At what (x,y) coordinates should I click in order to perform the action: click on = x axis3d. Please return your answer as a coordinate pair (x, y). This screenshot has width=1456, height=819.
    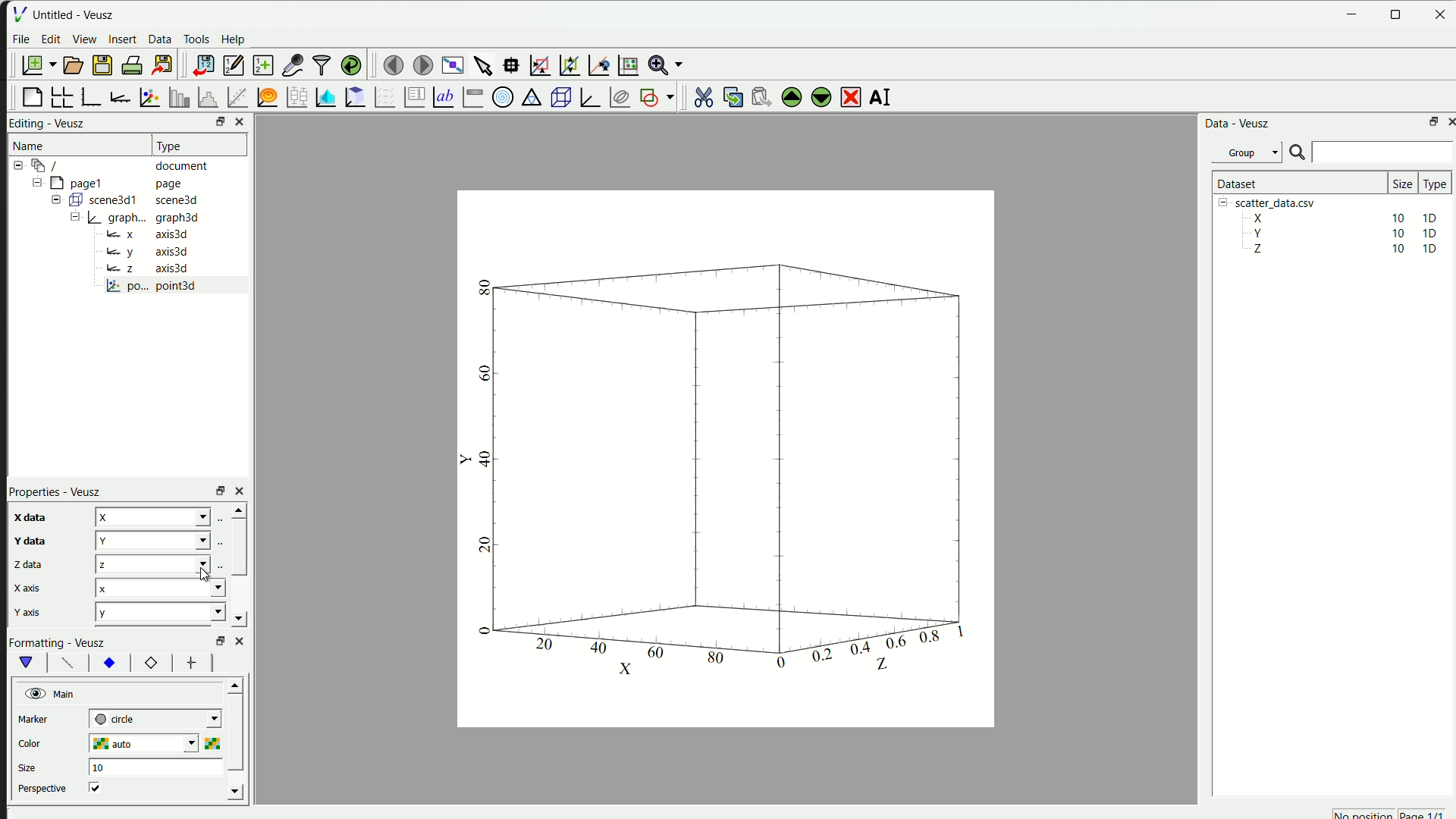
    Looking at the image, I should click on (155, 234).